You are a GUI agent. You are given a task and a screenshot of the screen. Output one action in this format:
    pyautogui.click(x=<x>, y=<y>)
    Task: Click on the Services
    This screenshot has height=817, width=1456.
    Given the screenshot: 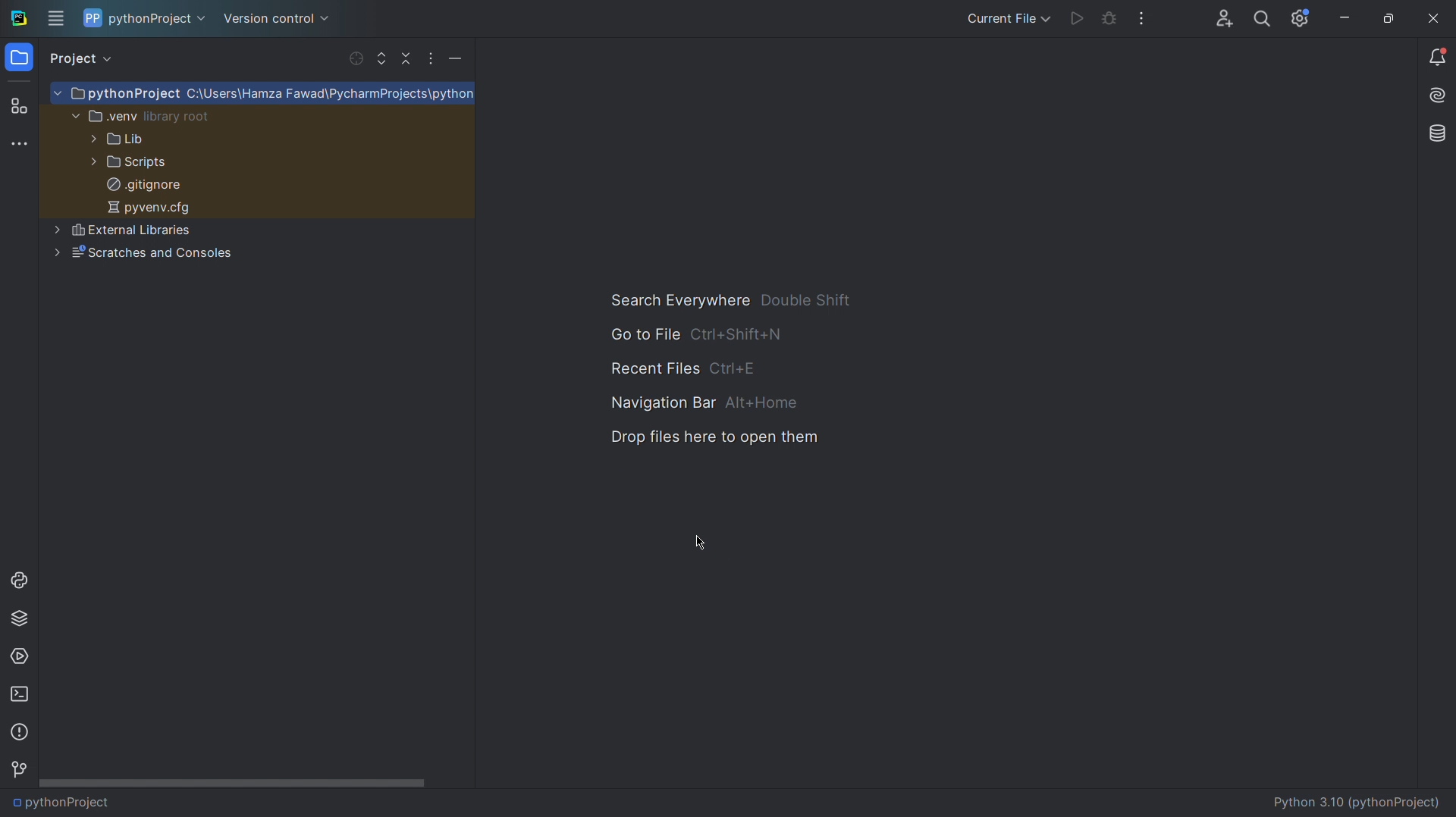 What is the action you would take?
    pyautogui.click(x=22, y=656)
    